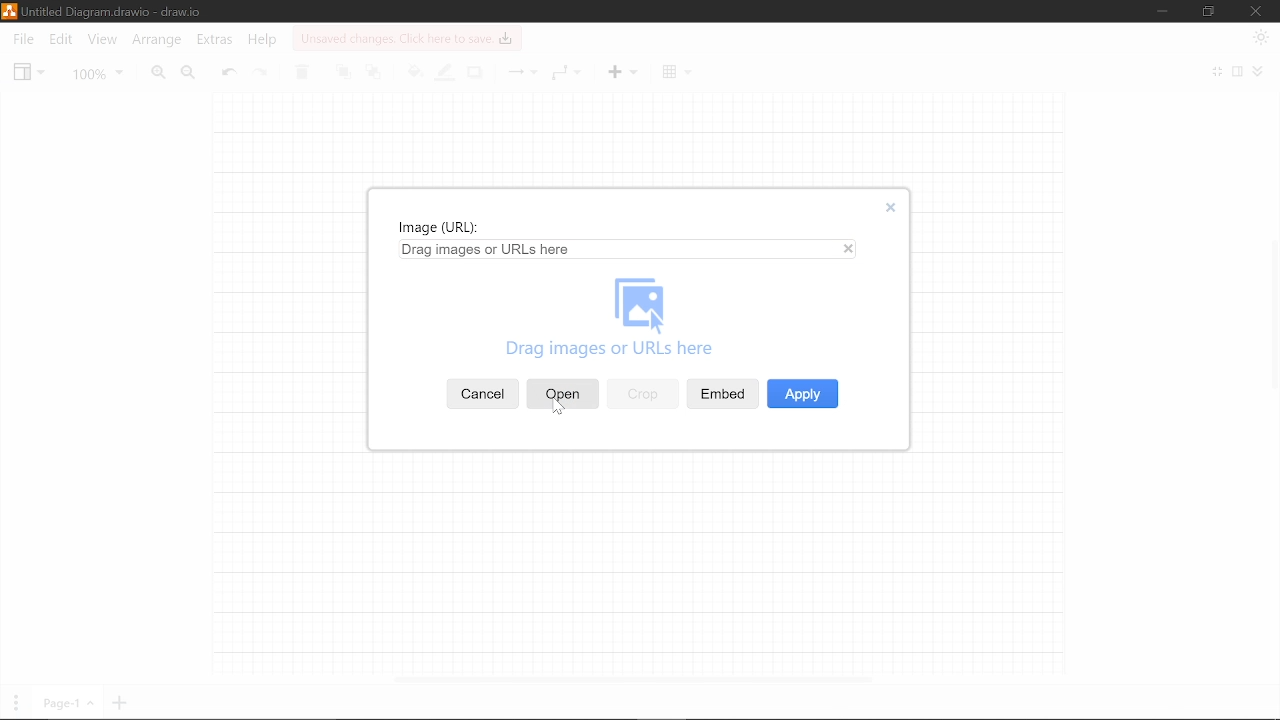 This screenshot has width=1280, height=720. Describe the element at coordinates (14, 703) in the screenshot. I see `Pages` at that location.